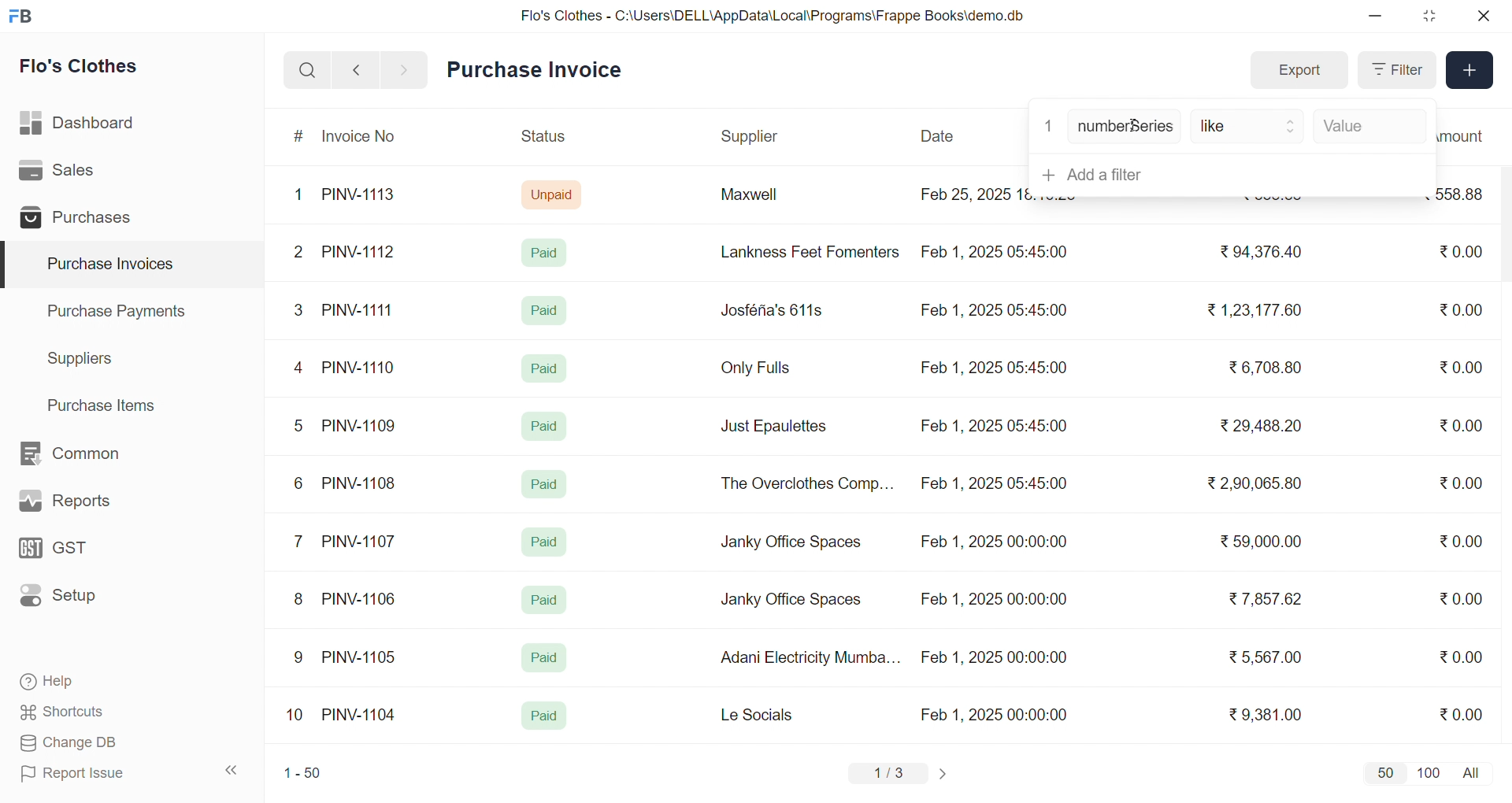 The image size is (1512, 803). What do you see at coordinates (548, 252) in the screenshot?
I see `Paid` at bounding box center [548, 252].